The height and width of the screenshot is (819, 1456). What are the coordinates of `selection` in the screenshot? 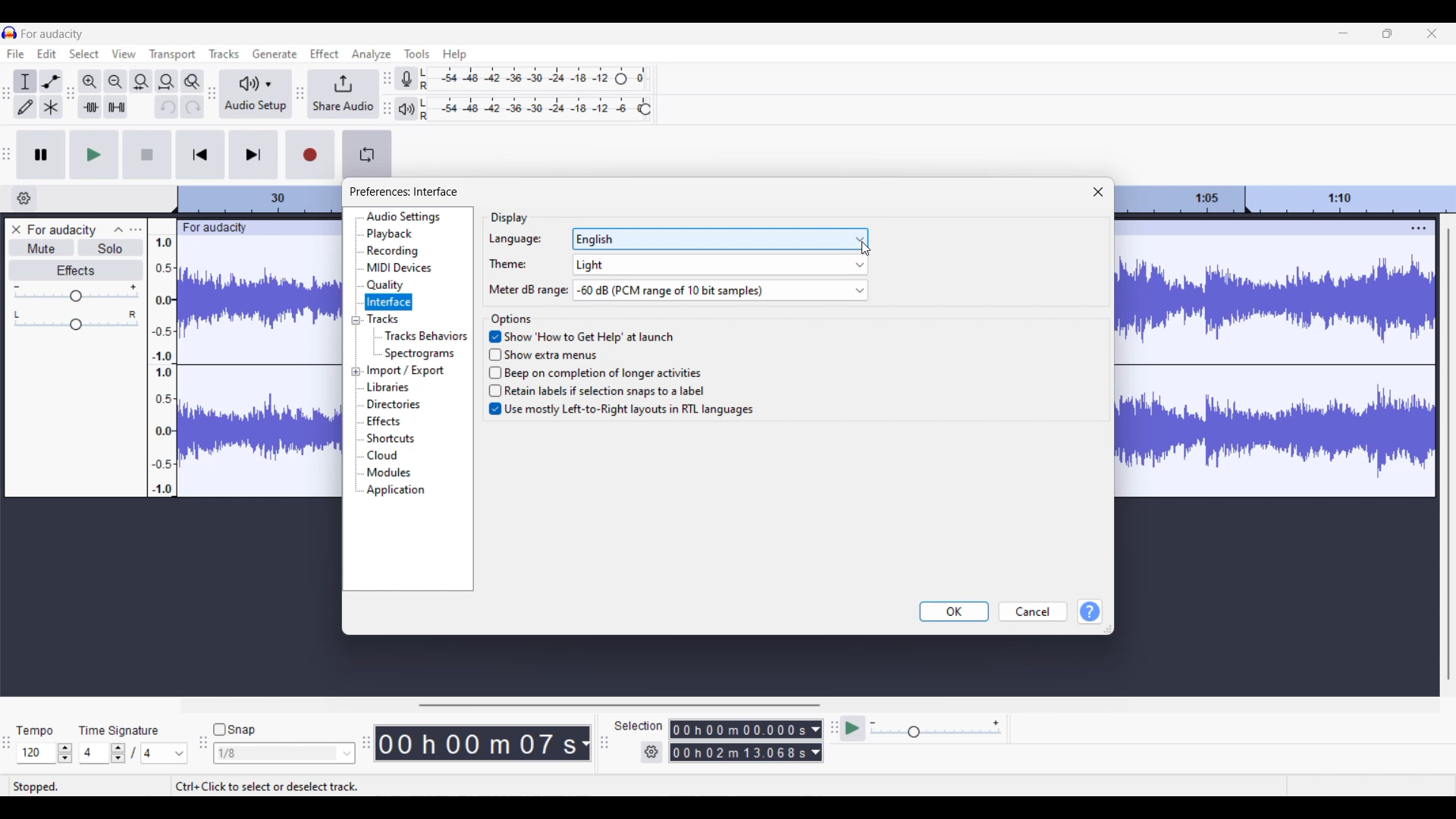 It's located at (638, 725).